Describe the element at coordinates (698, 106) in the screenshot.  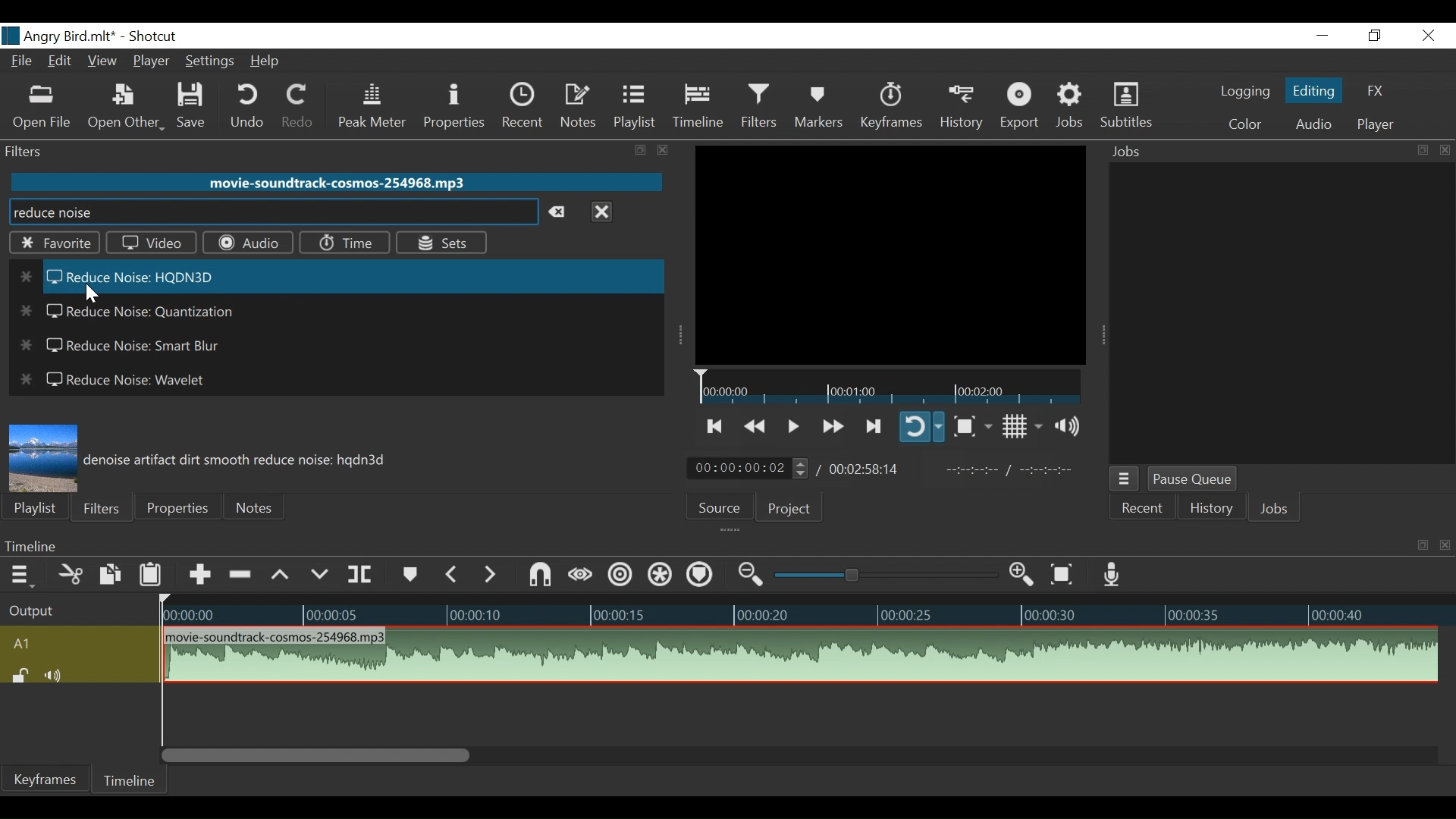
I see `Timeline` at that location.